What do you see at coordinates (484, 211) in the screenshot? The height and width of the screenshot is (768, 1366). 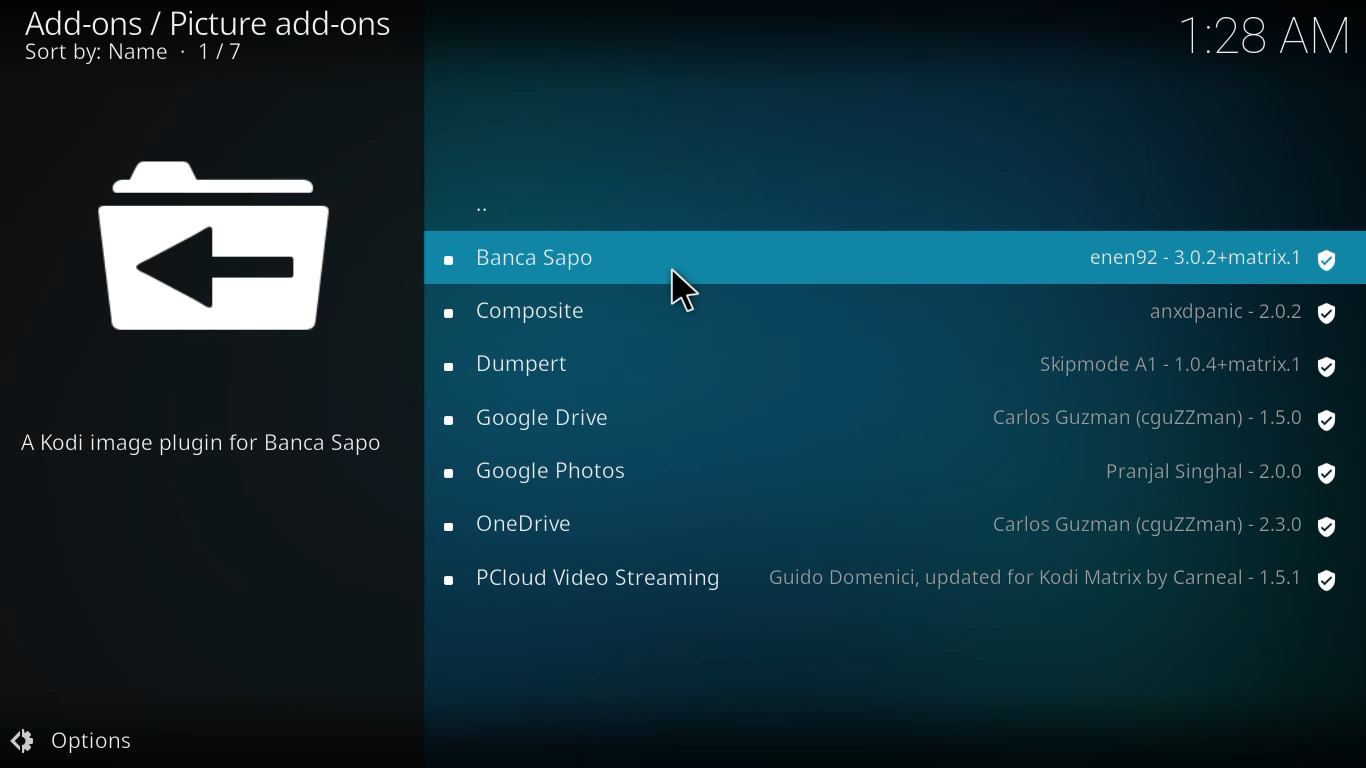 I see `back` at bounding box center [484, 211].